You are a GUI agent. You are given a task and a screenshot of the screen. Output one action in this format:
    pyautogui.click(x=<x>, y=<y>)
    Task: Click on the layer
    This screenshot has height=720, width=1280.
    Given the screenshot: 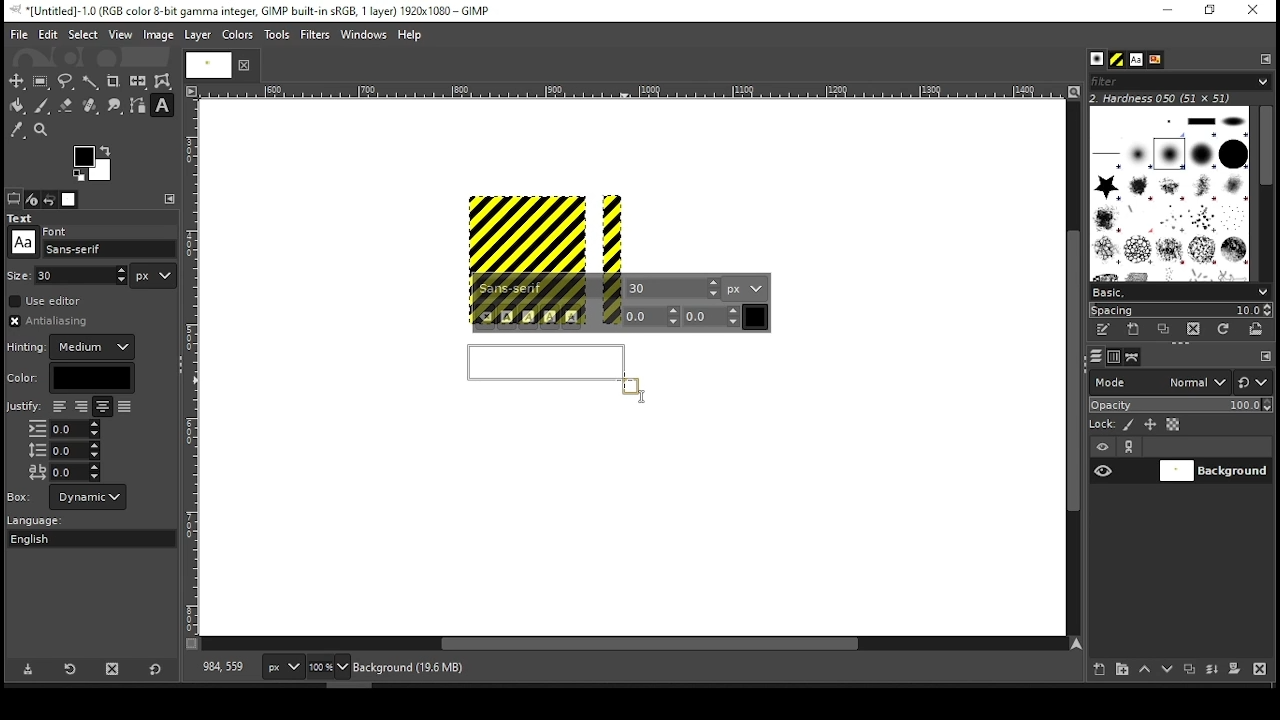 What is the action you would take?
    pyautogui.click(x=196, y=35)
    